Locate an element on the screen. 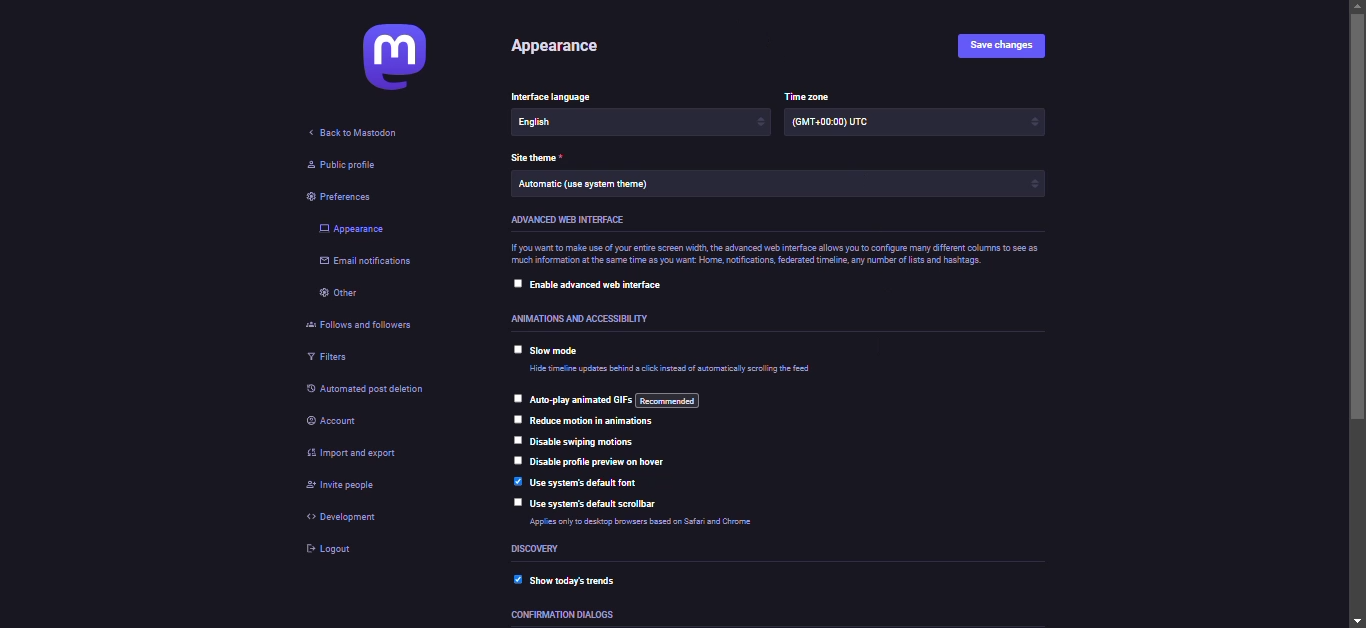 The width and height of the screenshot is (1366, 628). click to select is located at coordinates (518, 350).